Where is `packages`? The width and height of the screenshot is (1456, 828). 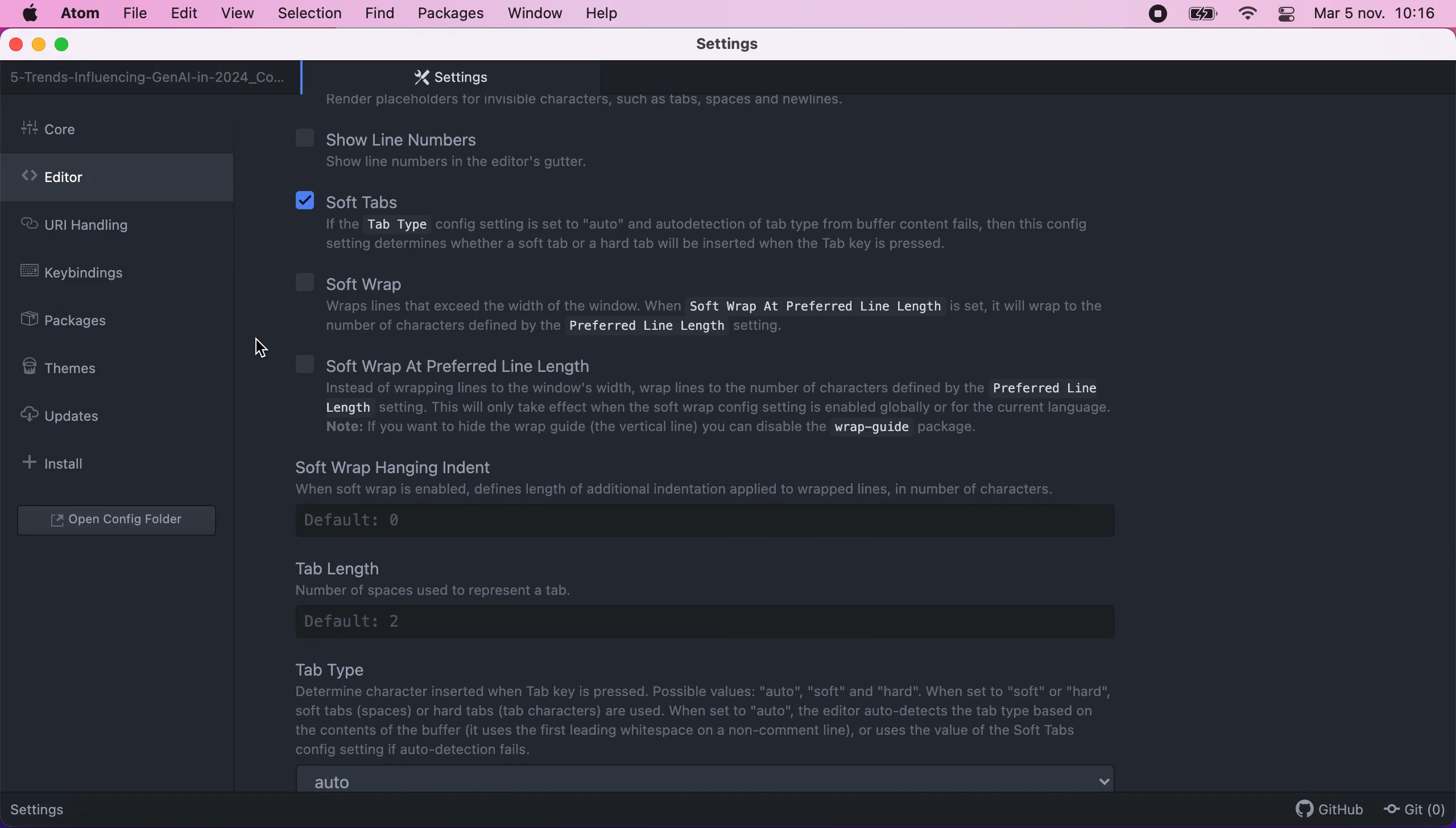 packages is located at coordinates (77, 322).